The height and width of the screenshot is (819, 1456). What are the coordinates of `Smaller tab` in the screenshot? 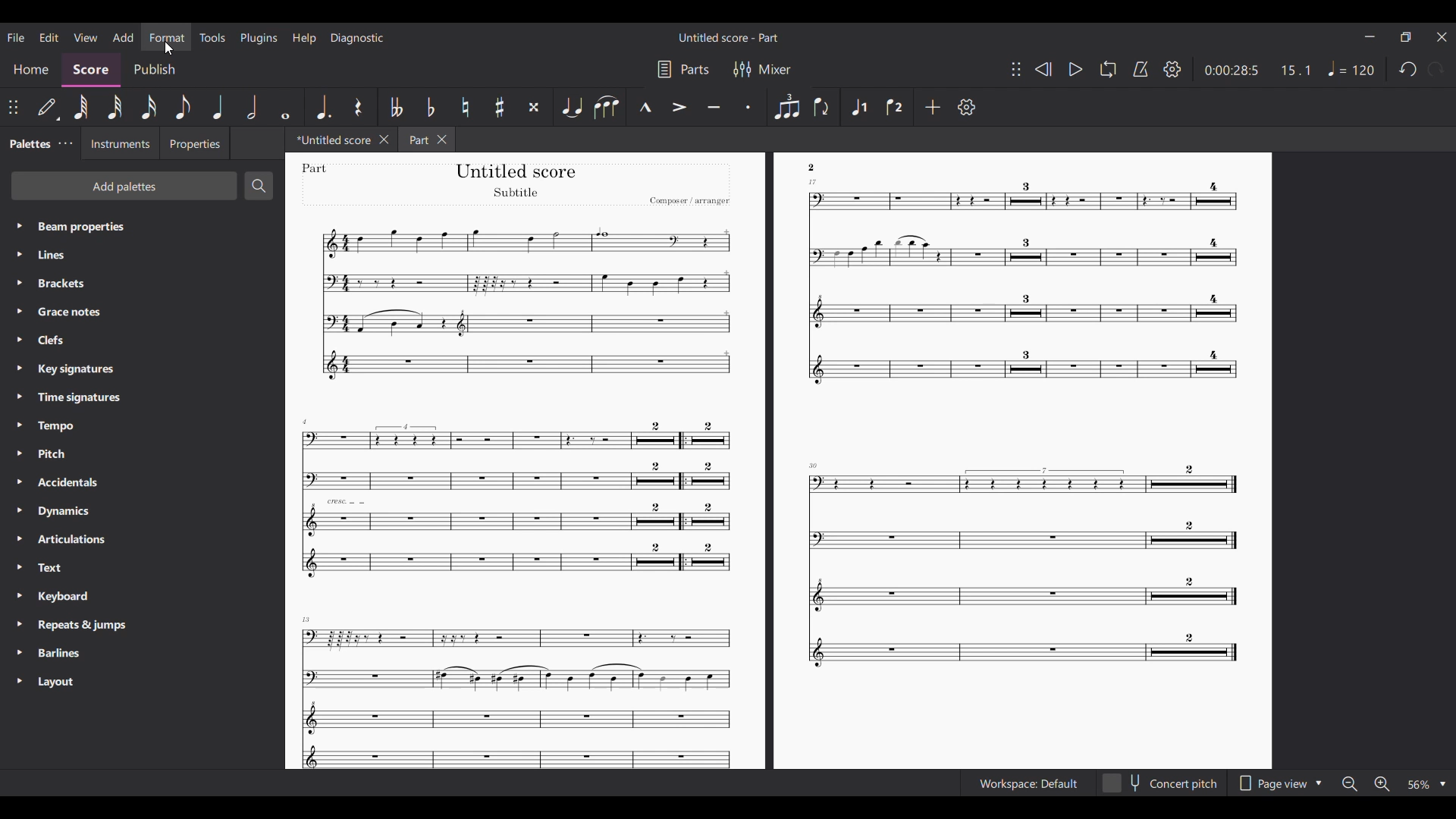 It's located at (1405, 37).